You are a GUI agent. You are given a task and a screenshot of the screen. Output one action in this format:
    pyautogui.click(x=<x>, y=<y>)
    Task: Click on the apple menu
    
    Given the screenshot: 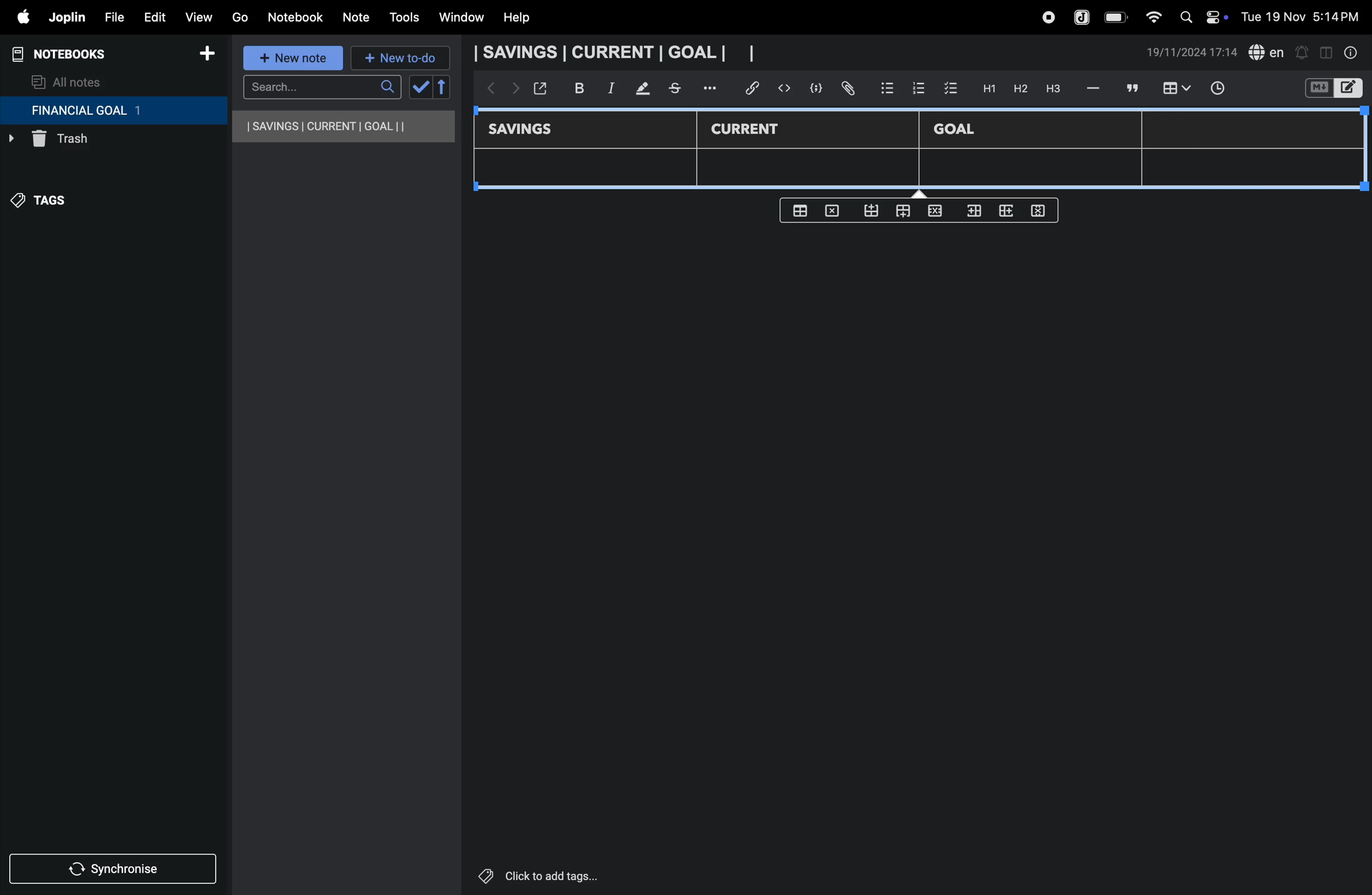 What is the action you would take?
    pyautogui.click(x=17, y=17)
    